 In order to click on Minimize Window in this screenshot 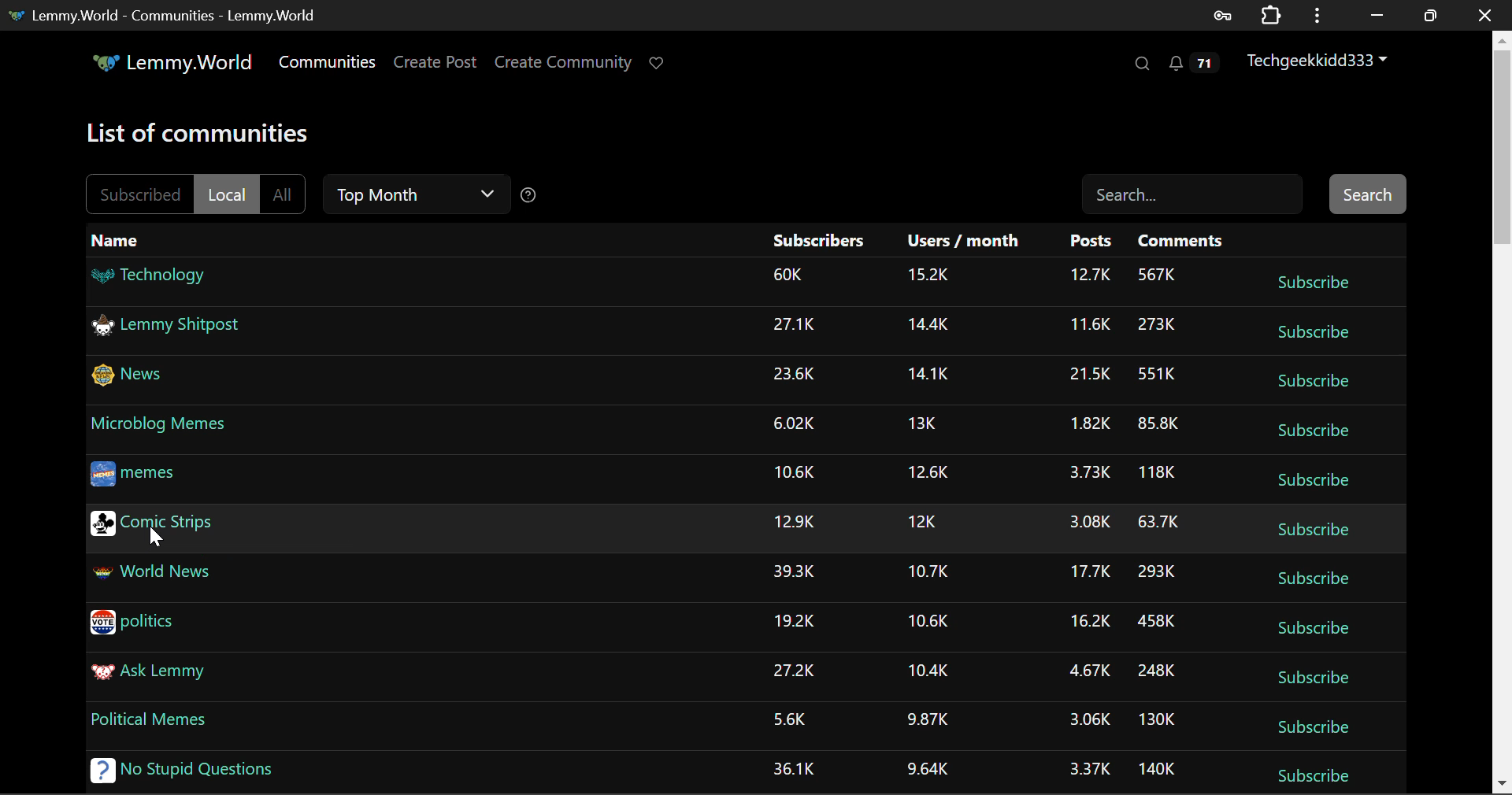, I will do `click(1430, 13)`.